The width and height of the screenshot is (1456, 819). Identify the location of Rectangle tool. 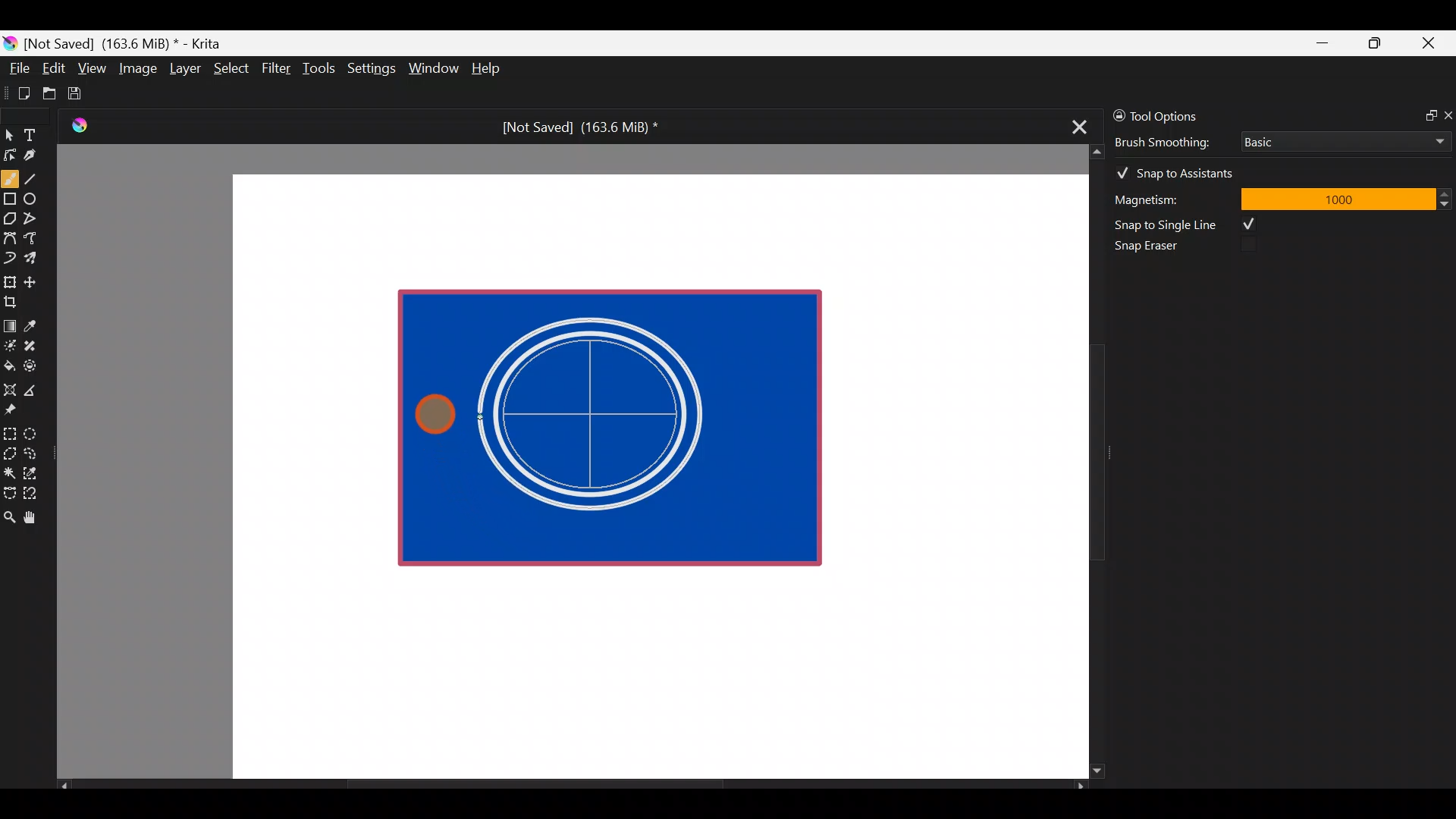
(10, 200).